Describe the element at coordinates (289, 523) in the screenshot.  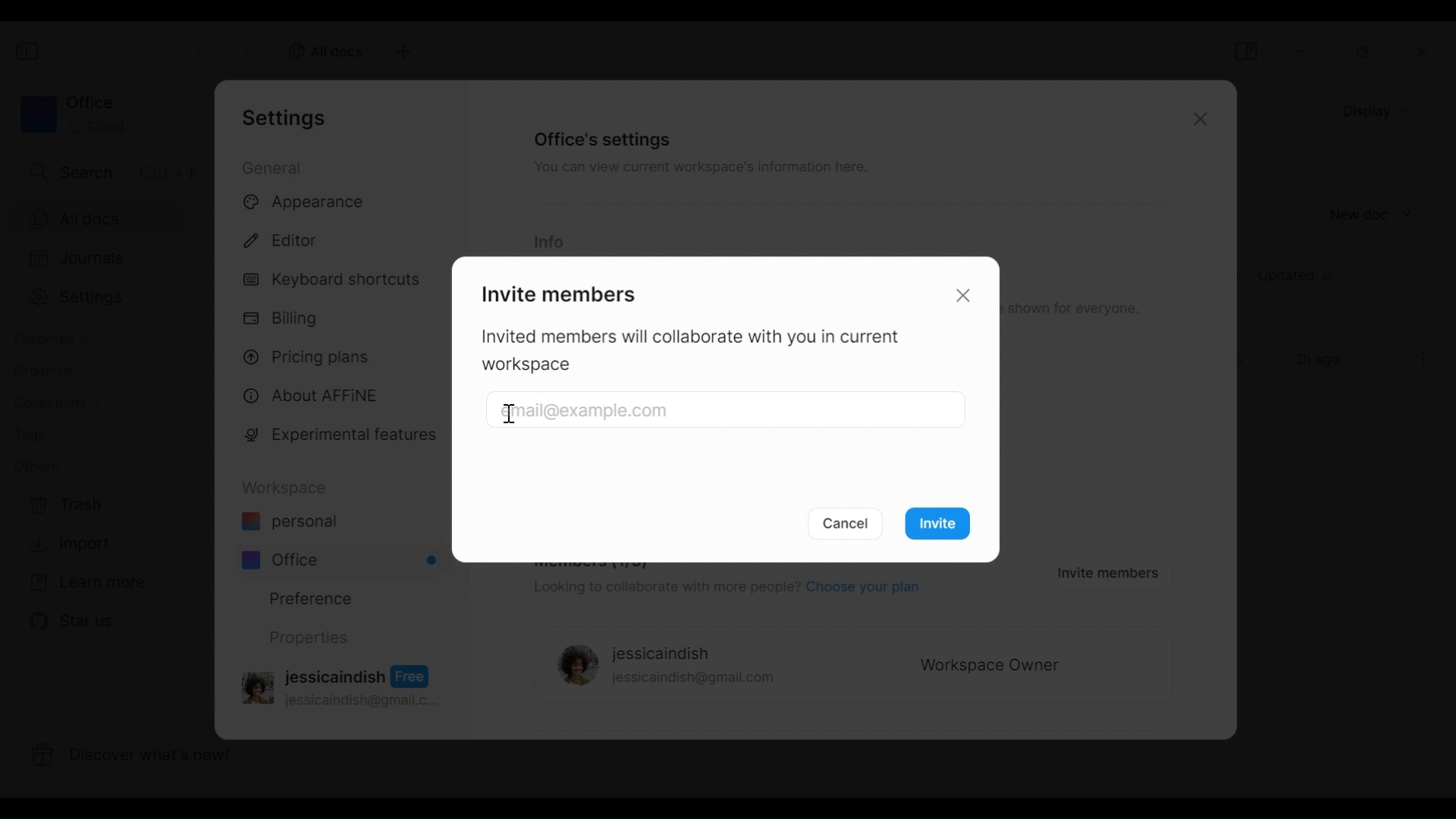
I see `personal` at that location.